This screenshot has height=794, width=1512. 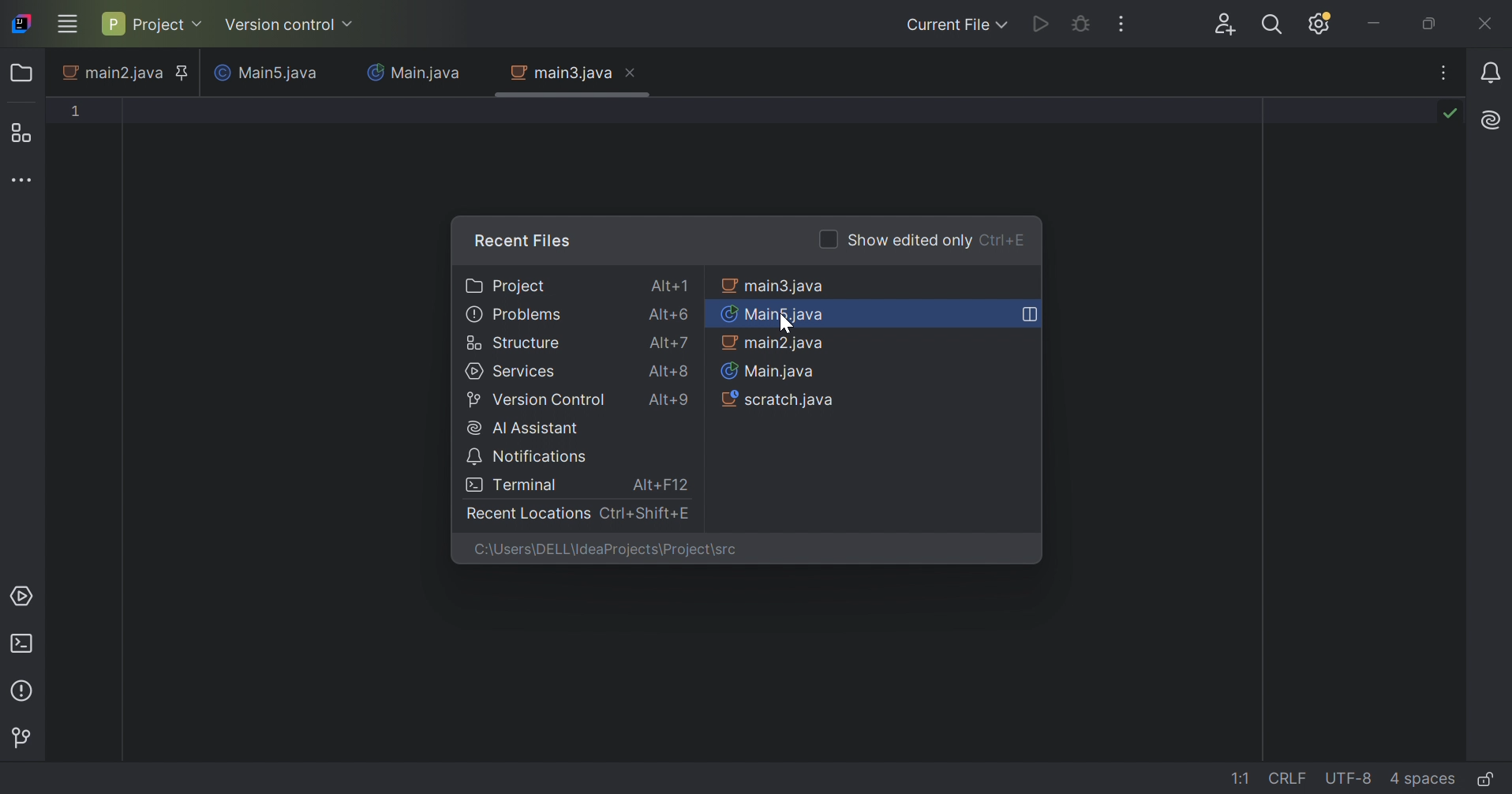 I want to click on Notifications, so click(x=529, y=455).